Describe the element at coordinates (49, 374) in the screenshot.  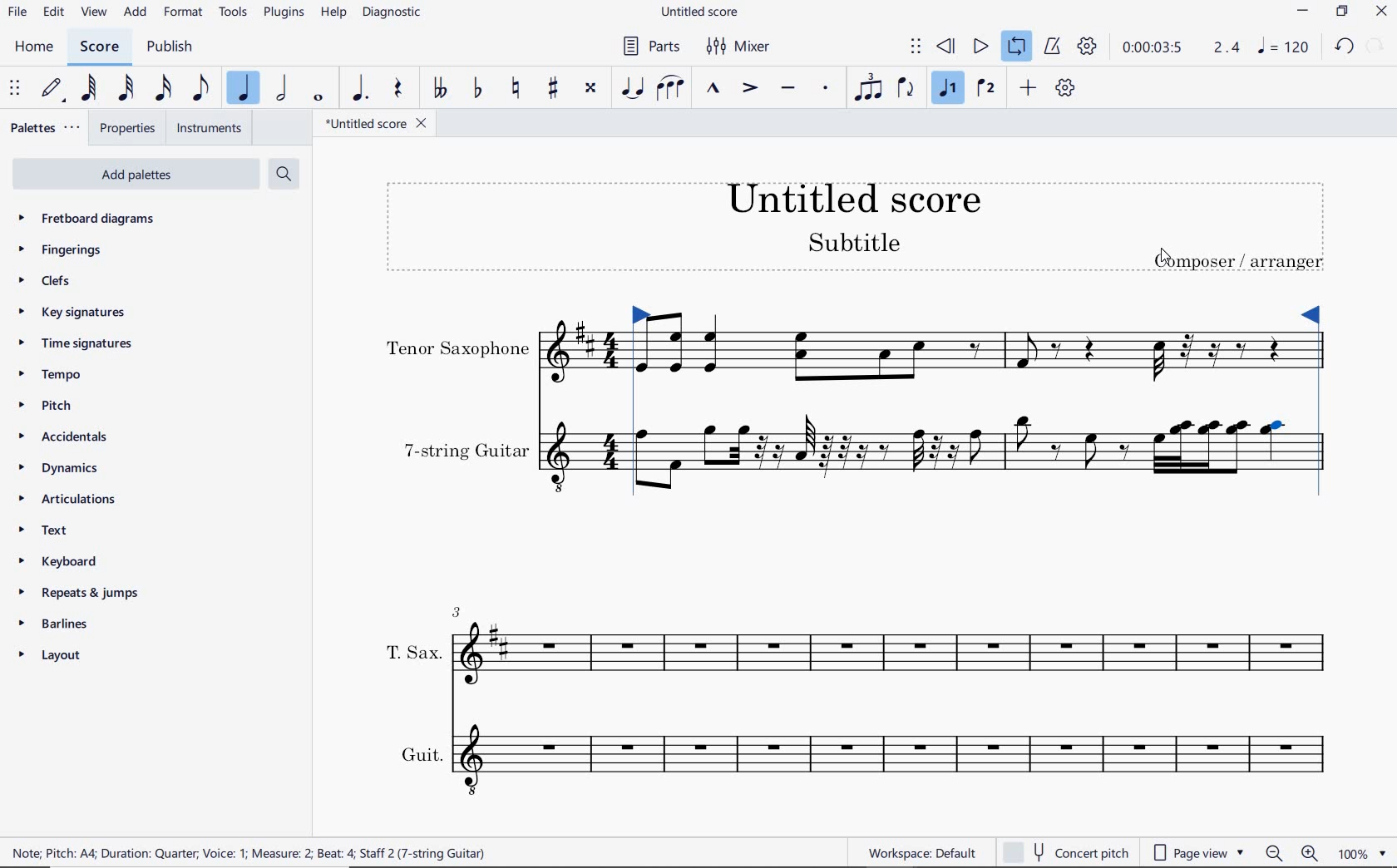
I see `TEMPO` at that location.